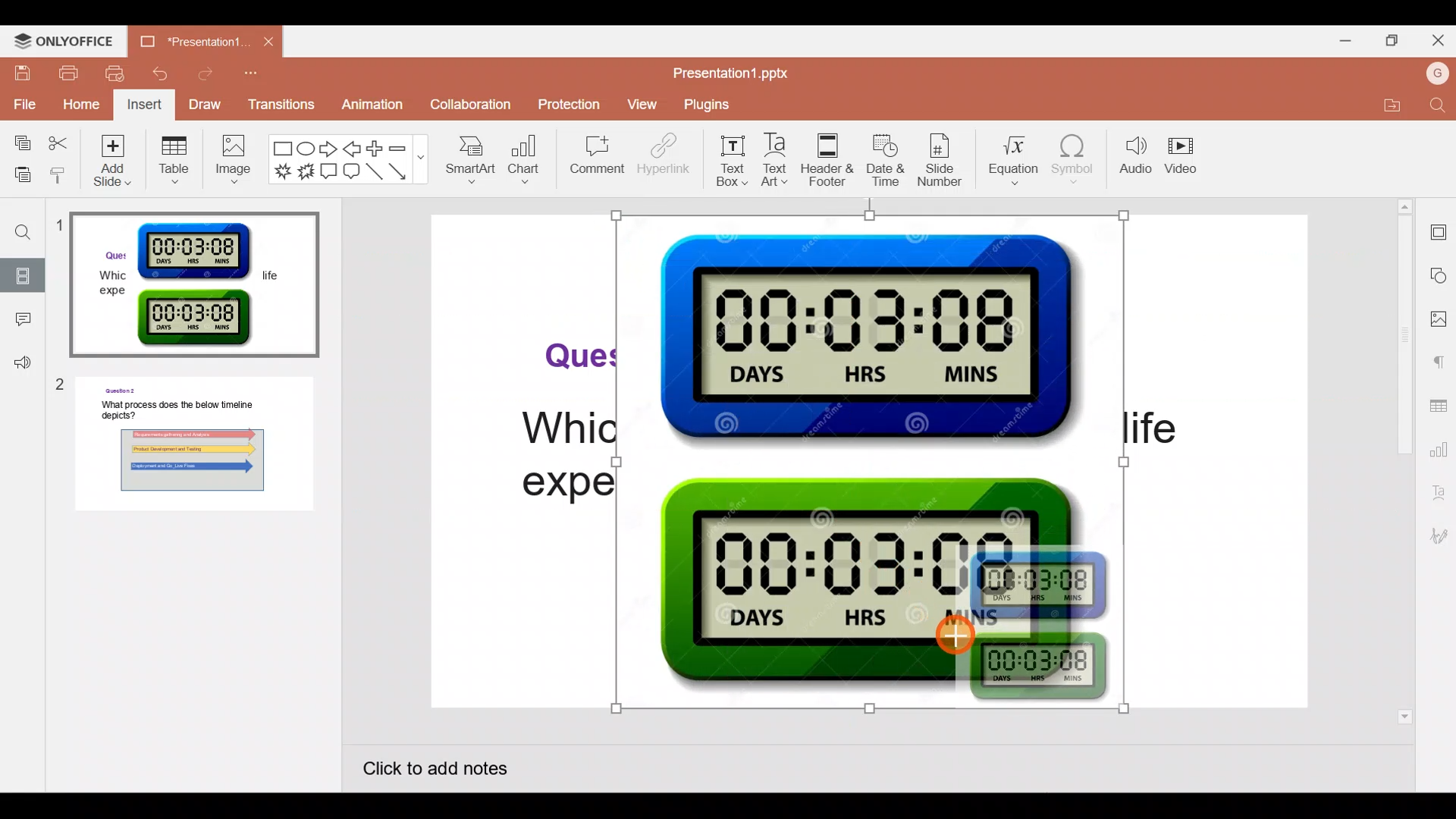 Image resolution: width=1456 pixels, height=819 pixels. What do you see at coordinates (1434, 74) in the screenshot?
I see `Account name` at bounding box center [1434, 74].